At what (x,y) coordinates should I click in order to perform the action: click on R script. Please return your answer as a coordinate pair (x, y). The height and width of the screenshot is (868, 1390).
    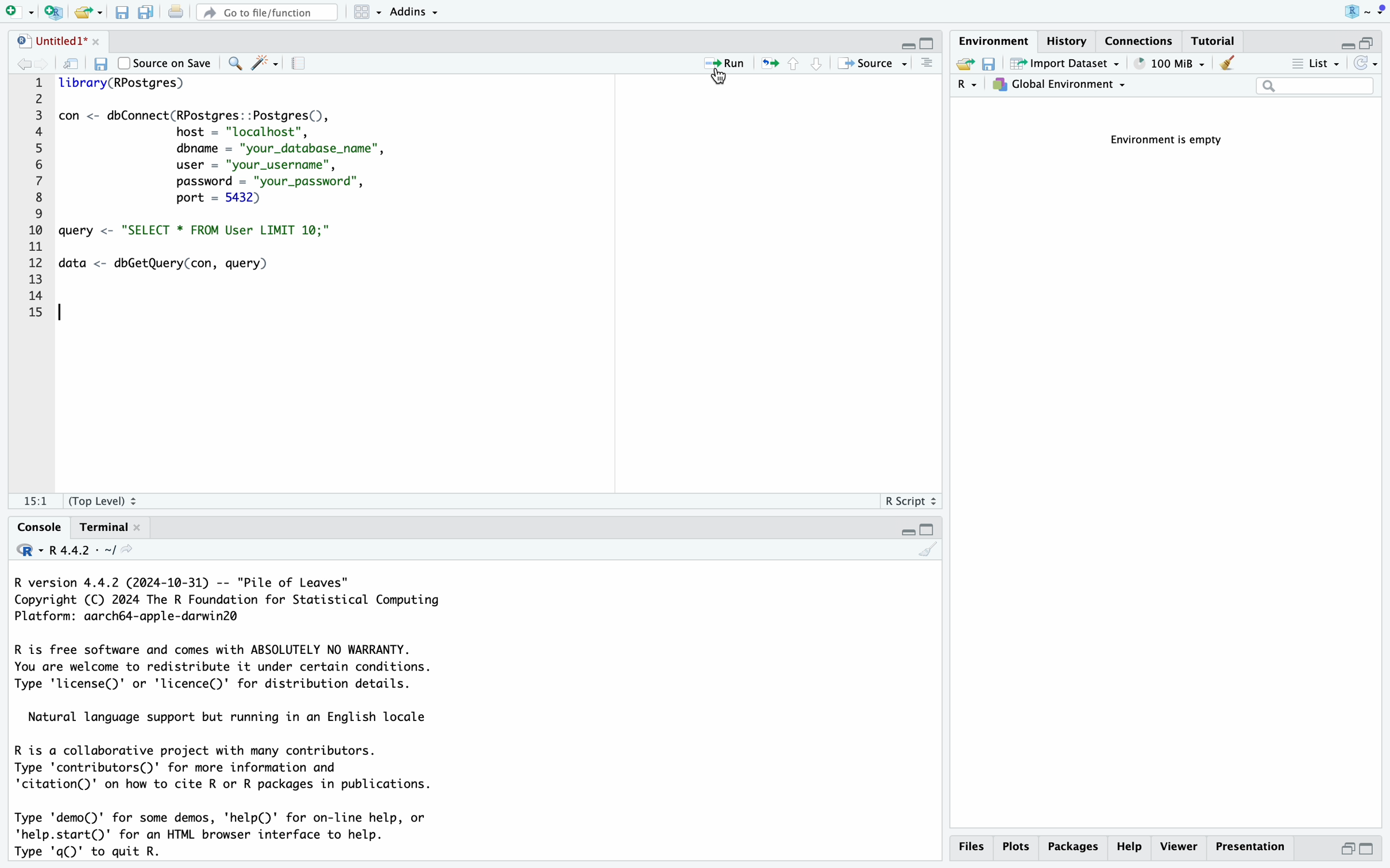
    Looking at the image, I should click on (912, 501).